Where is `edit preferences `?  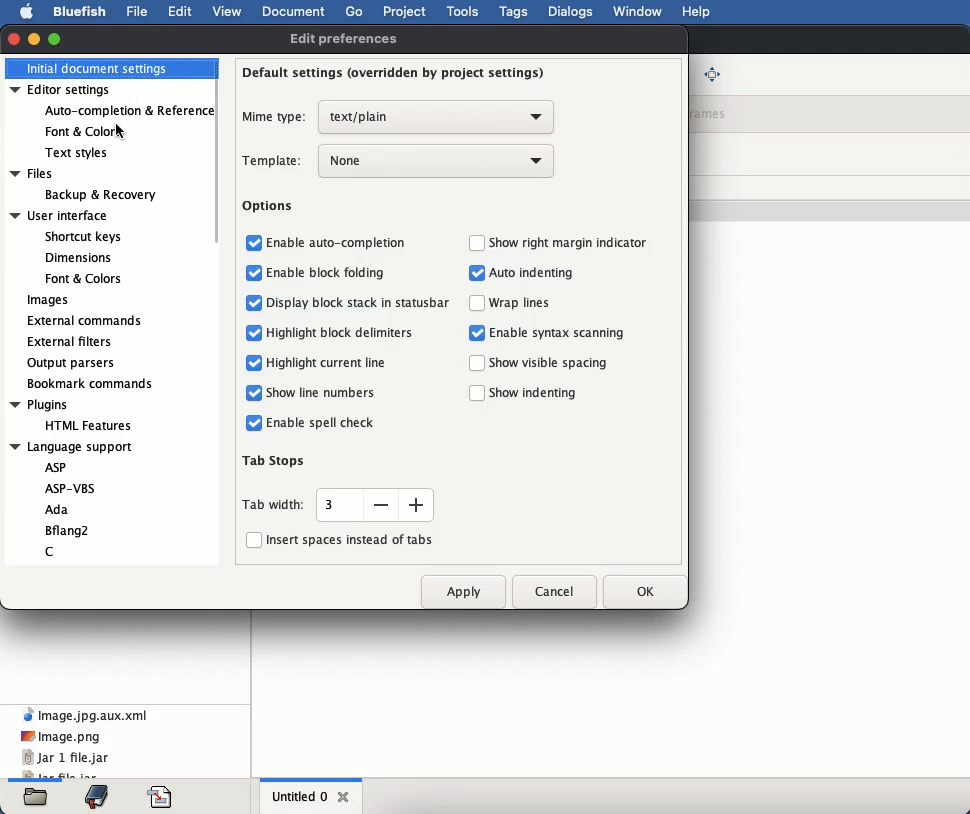
edit preferences  is located at coordinates (344, 37).